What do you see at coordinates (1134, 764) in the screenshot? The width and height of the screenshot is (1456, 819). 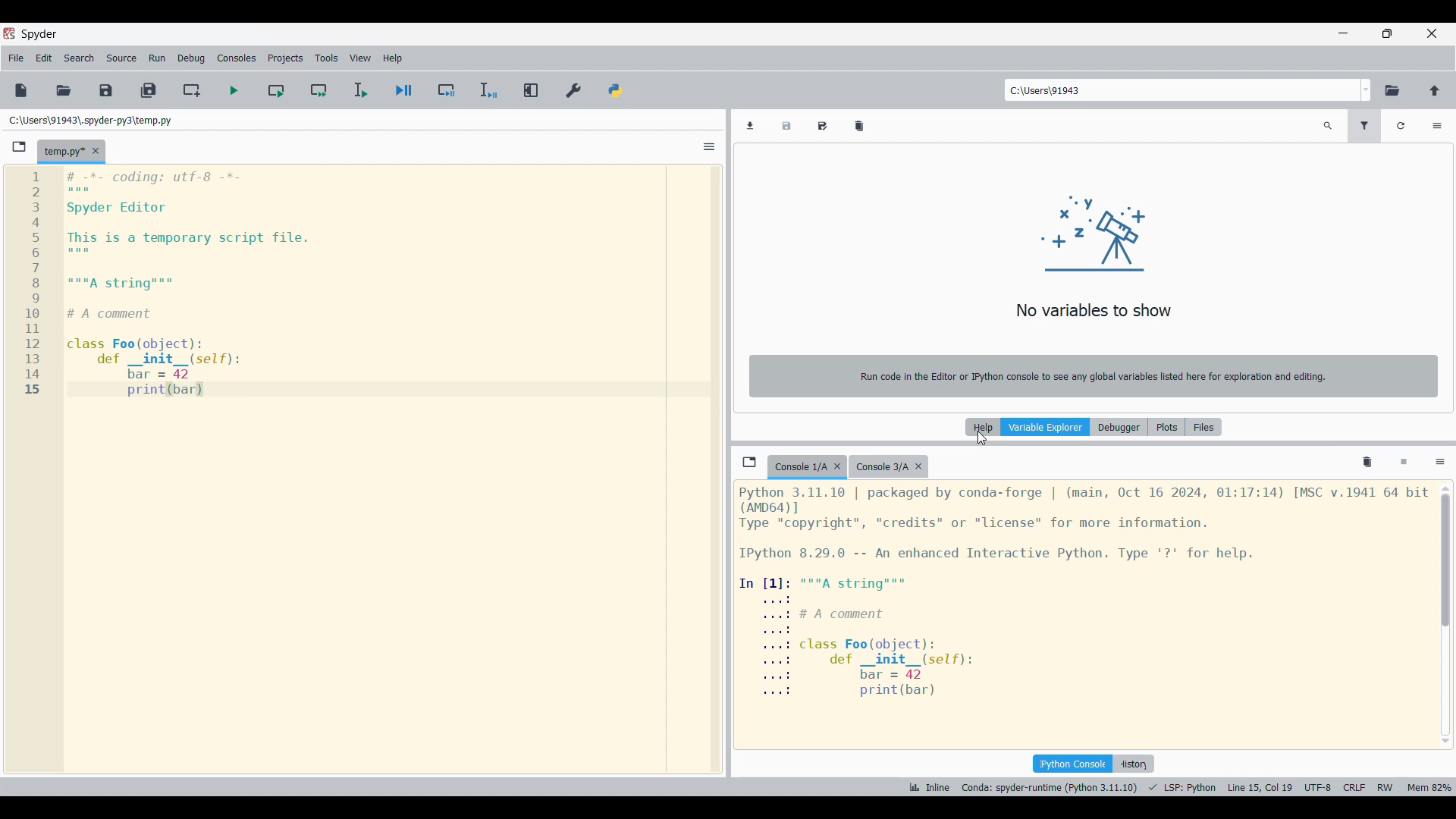 I see `History` at bounding box center [1134, 764].